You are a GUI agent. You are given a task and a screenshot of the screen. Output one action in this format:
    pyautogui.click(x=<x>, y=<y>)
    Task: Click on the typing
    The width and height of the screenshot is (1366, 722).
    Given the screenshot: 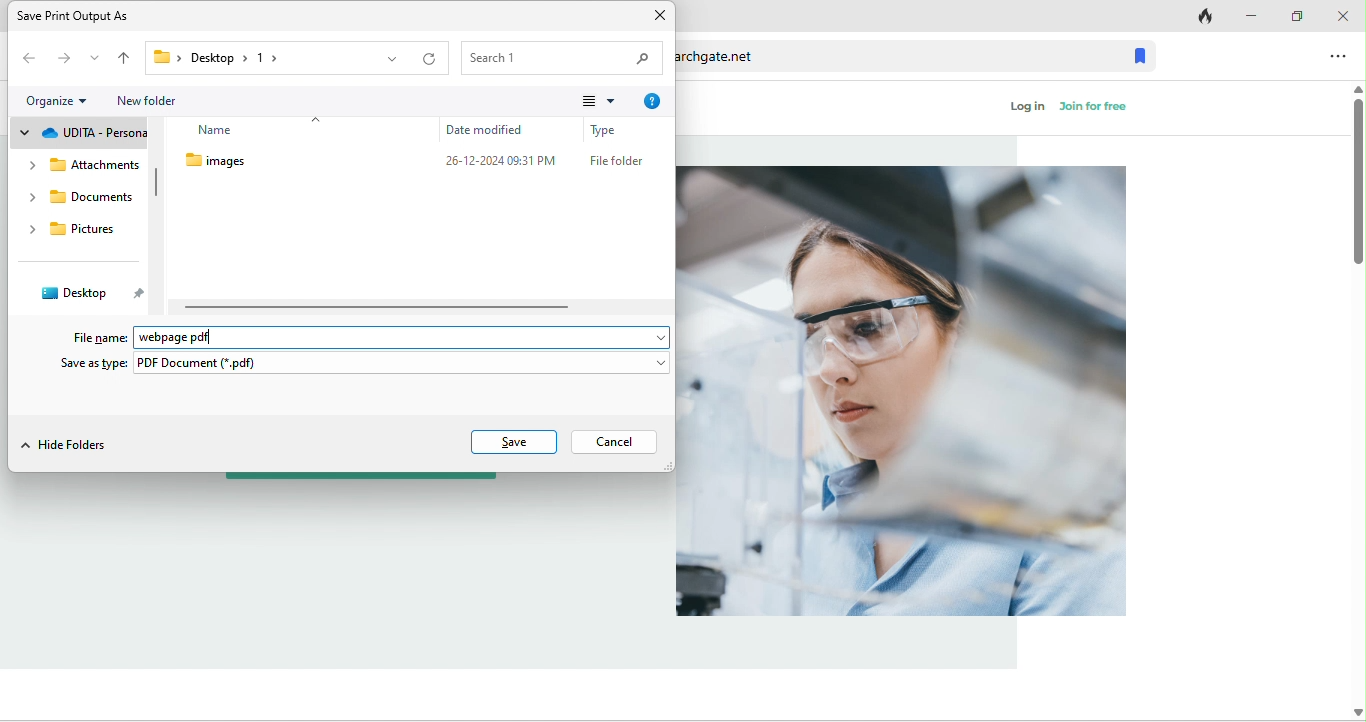 What is the action you would take?
    pyautogui.click(x=406, y=336)
    